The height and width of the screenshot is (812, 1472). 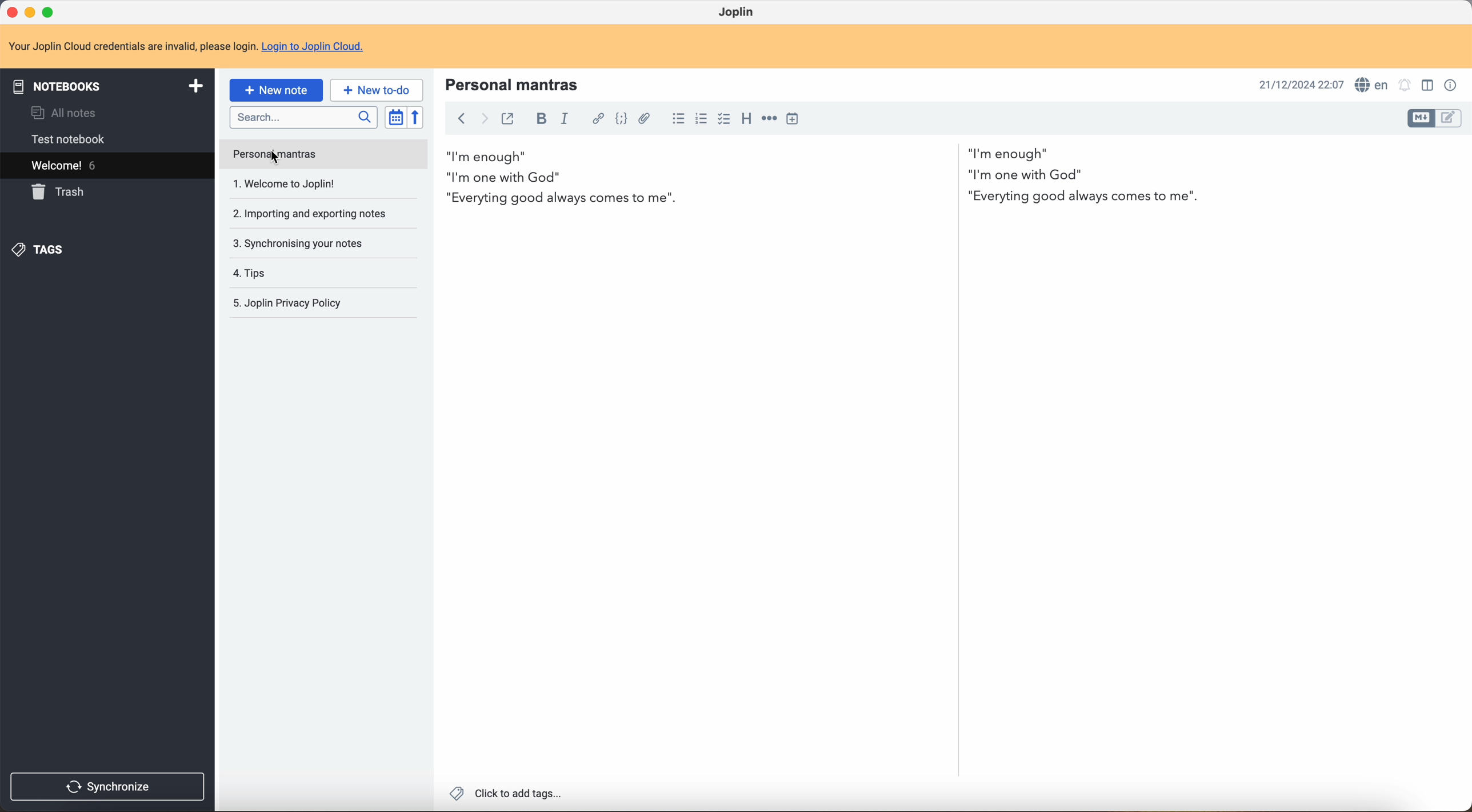 What do you see at coordinates (1430, 85) in the screenshot?
I see `toggle editor layout` at bounding box center [1430, 85].